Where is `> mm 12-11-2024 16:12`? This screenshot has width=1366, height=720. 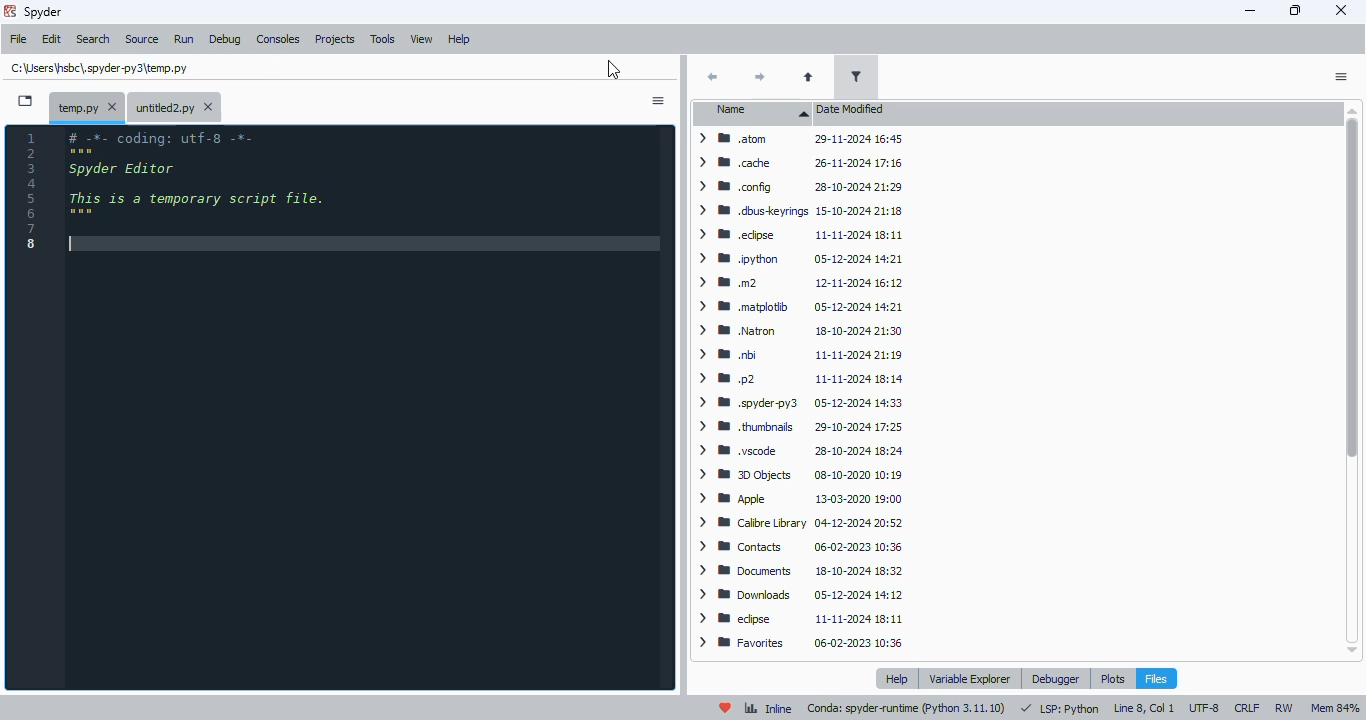 > mm 12-11-2024 16:12 is located at coordinates (800, 284).